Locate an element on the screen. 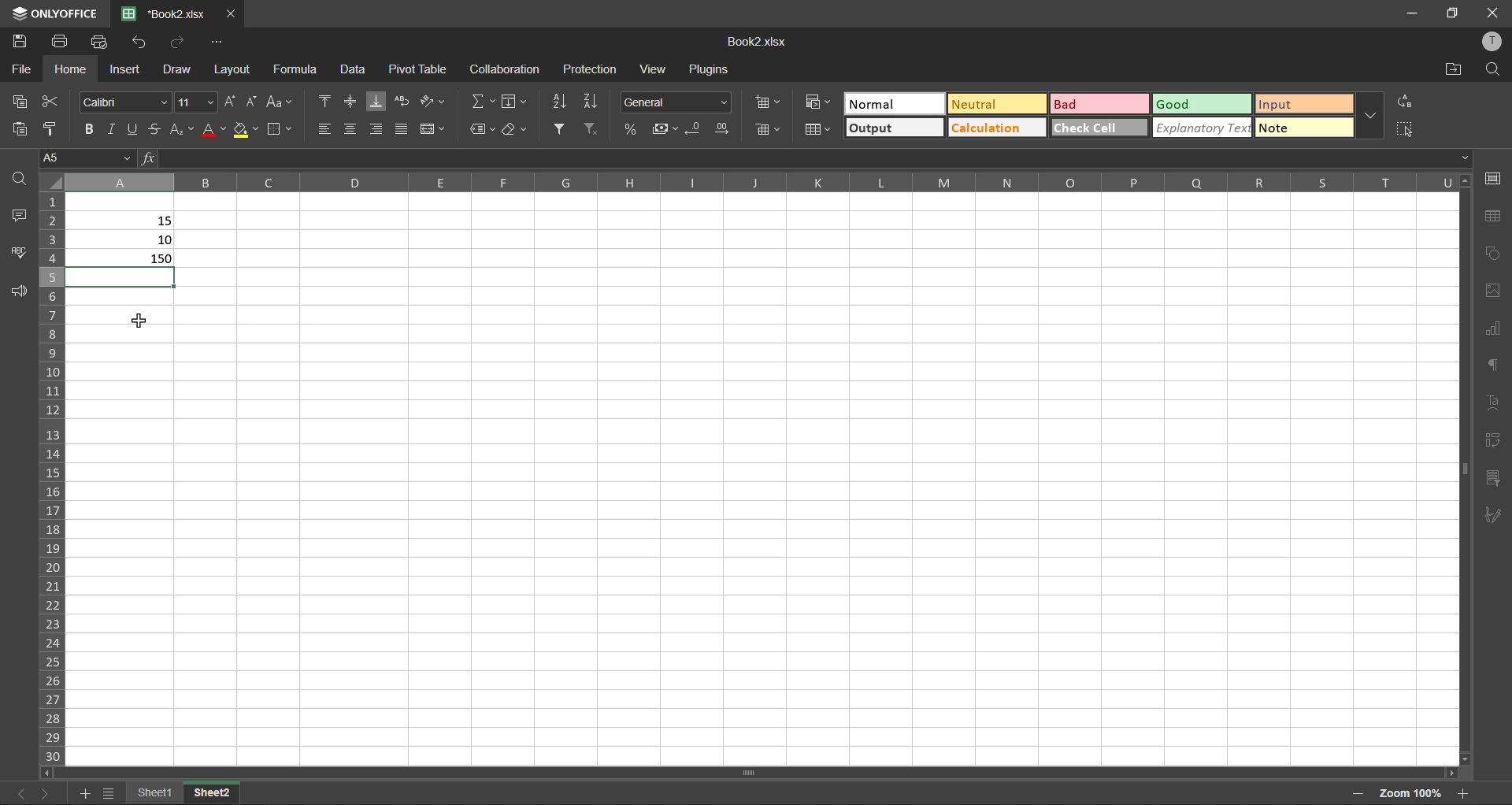  add sheet is located at coordinates (82, 792).